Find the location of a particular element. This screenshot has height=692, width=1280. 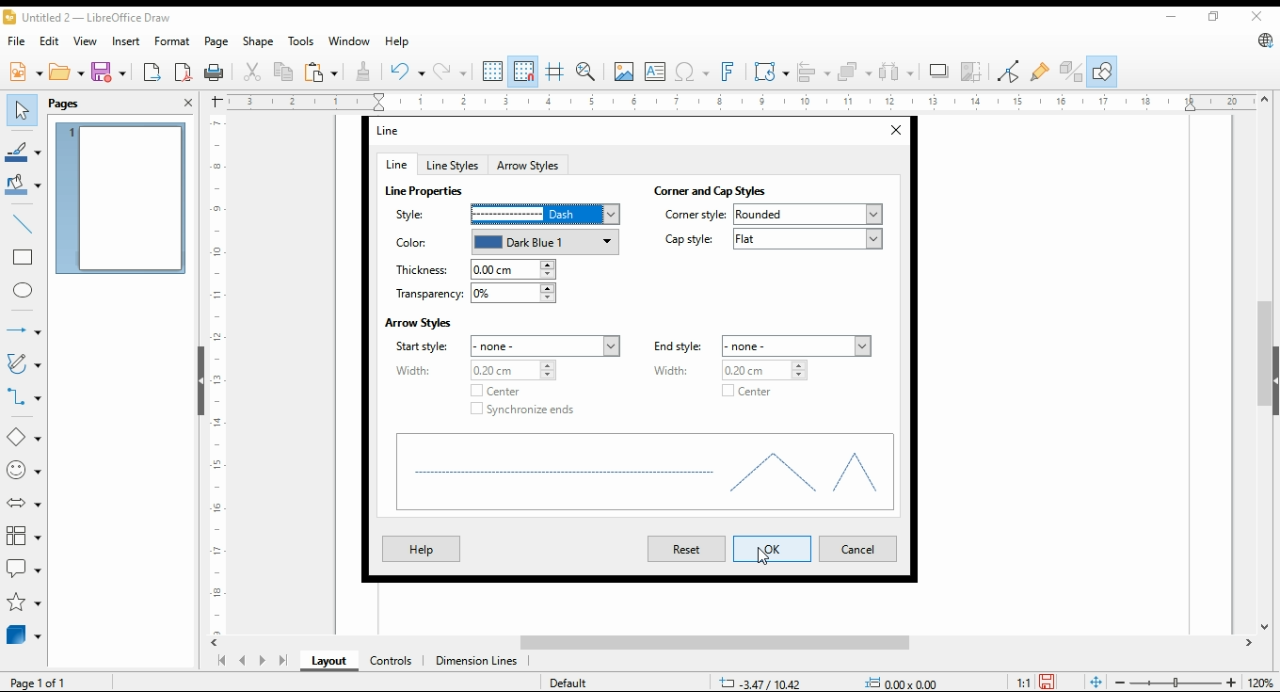

next page is located at coordinates (261, 661).